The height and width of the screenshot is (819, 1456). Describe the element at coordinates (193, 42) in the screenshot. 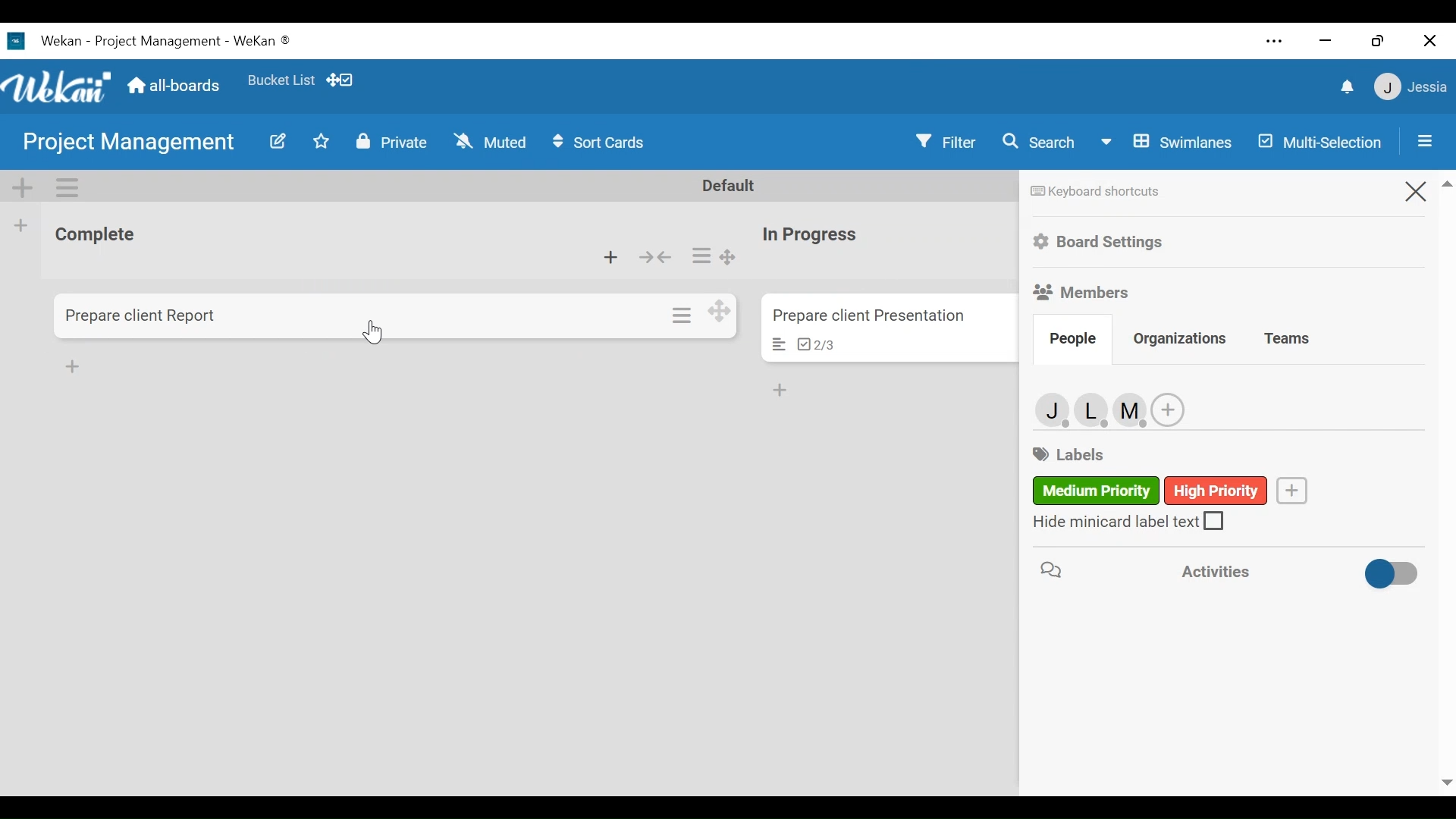

I see `Board Title` at that location.